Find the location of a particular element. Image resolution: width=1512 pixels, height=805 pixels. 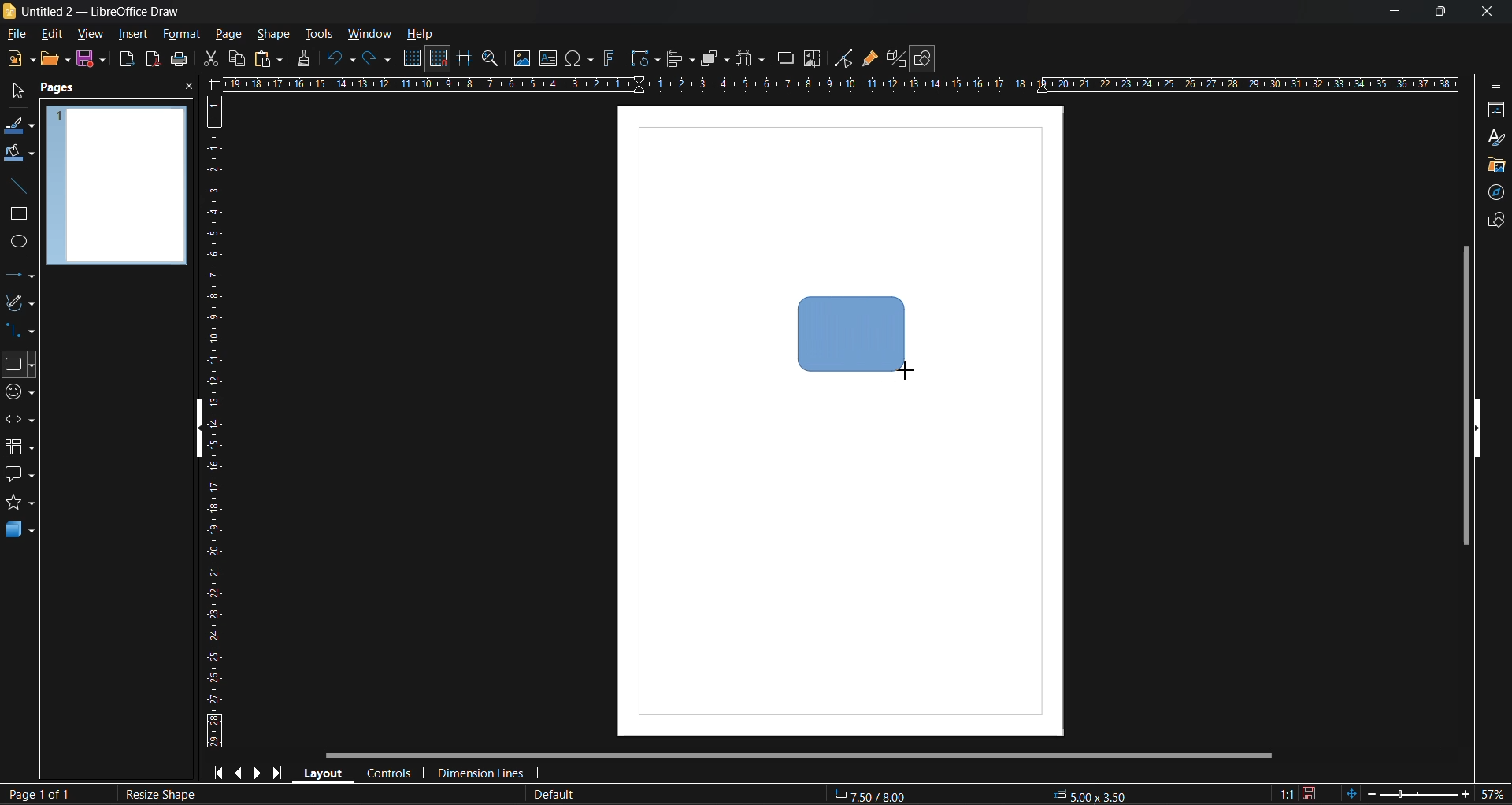

callout shapes is located at coordinates (19, 474).